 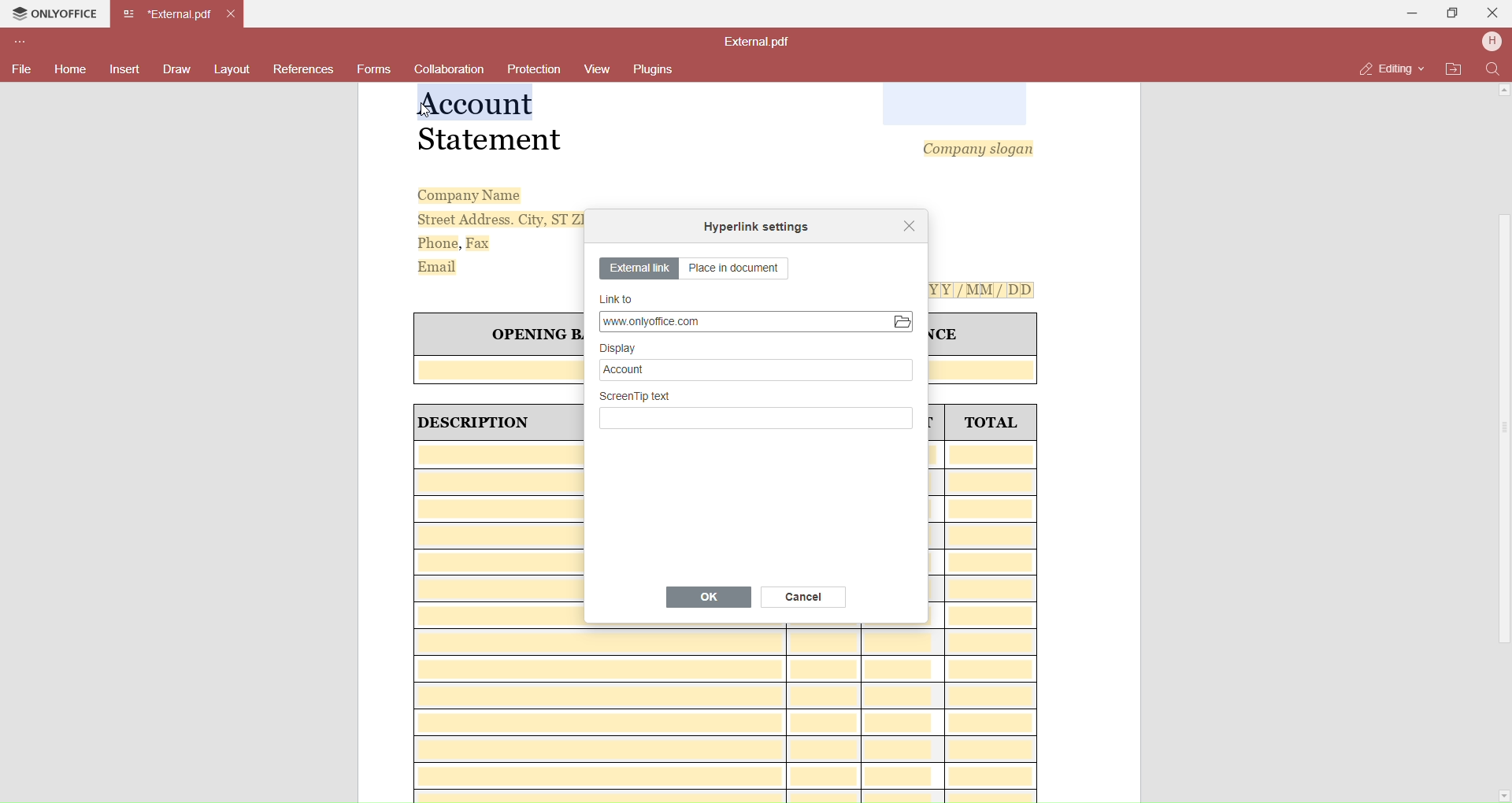 What do you see at coordinates (1492, 69) in the screenshot?
I see `Find` at bounding box center [1492, 69].